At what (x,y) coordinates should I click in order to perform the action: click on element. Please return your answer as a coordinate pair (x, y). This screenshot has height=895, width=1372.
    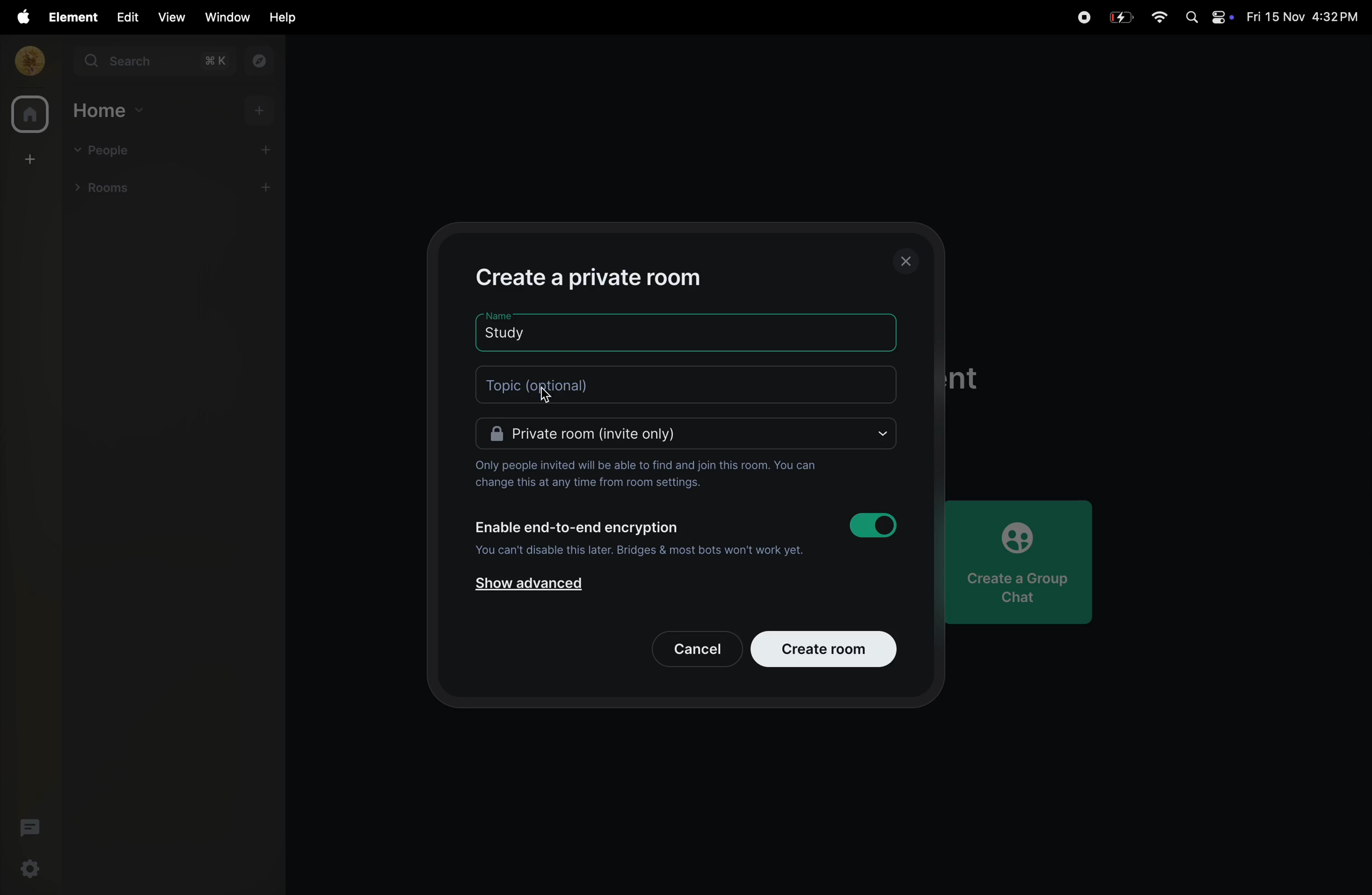
    Looking at the image, I should click on (68, 17).